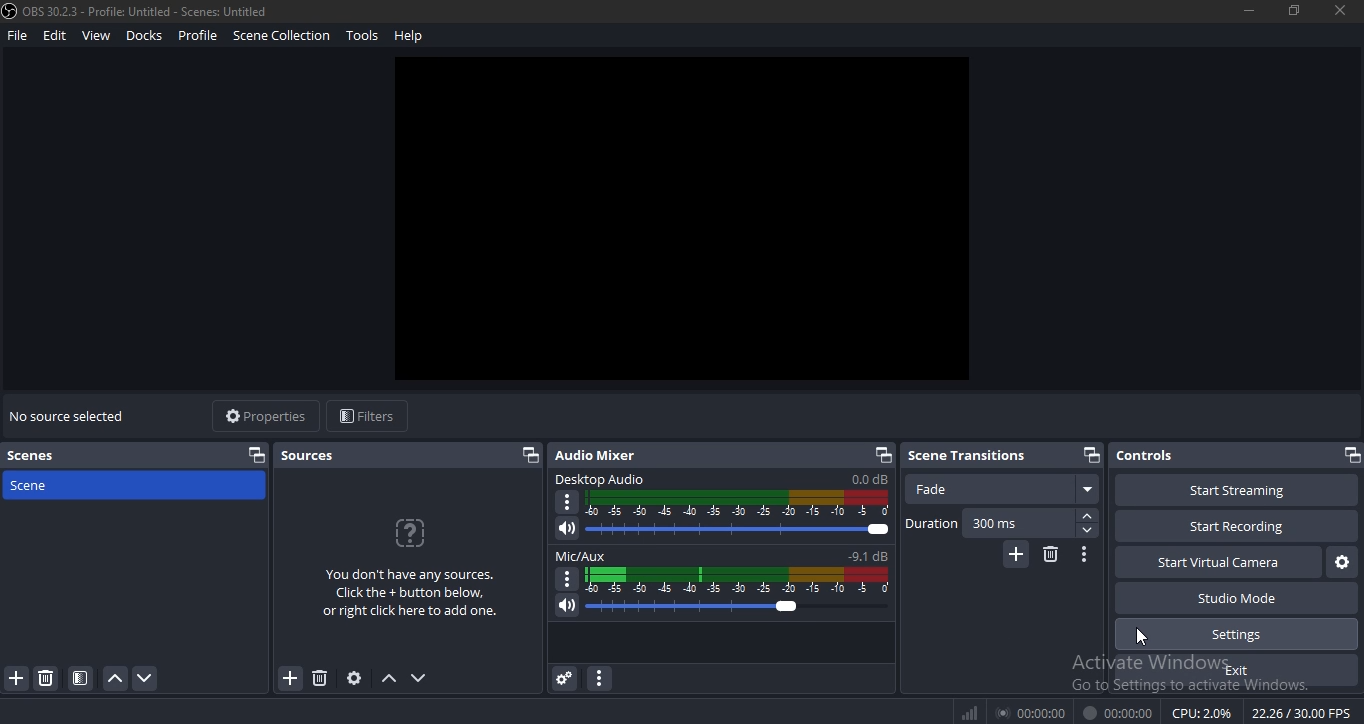 The image size is (1364, 724). What do you see at coordinates (364, 417) in the screenshot?
I see `filters` at bounding box center [364, 417].